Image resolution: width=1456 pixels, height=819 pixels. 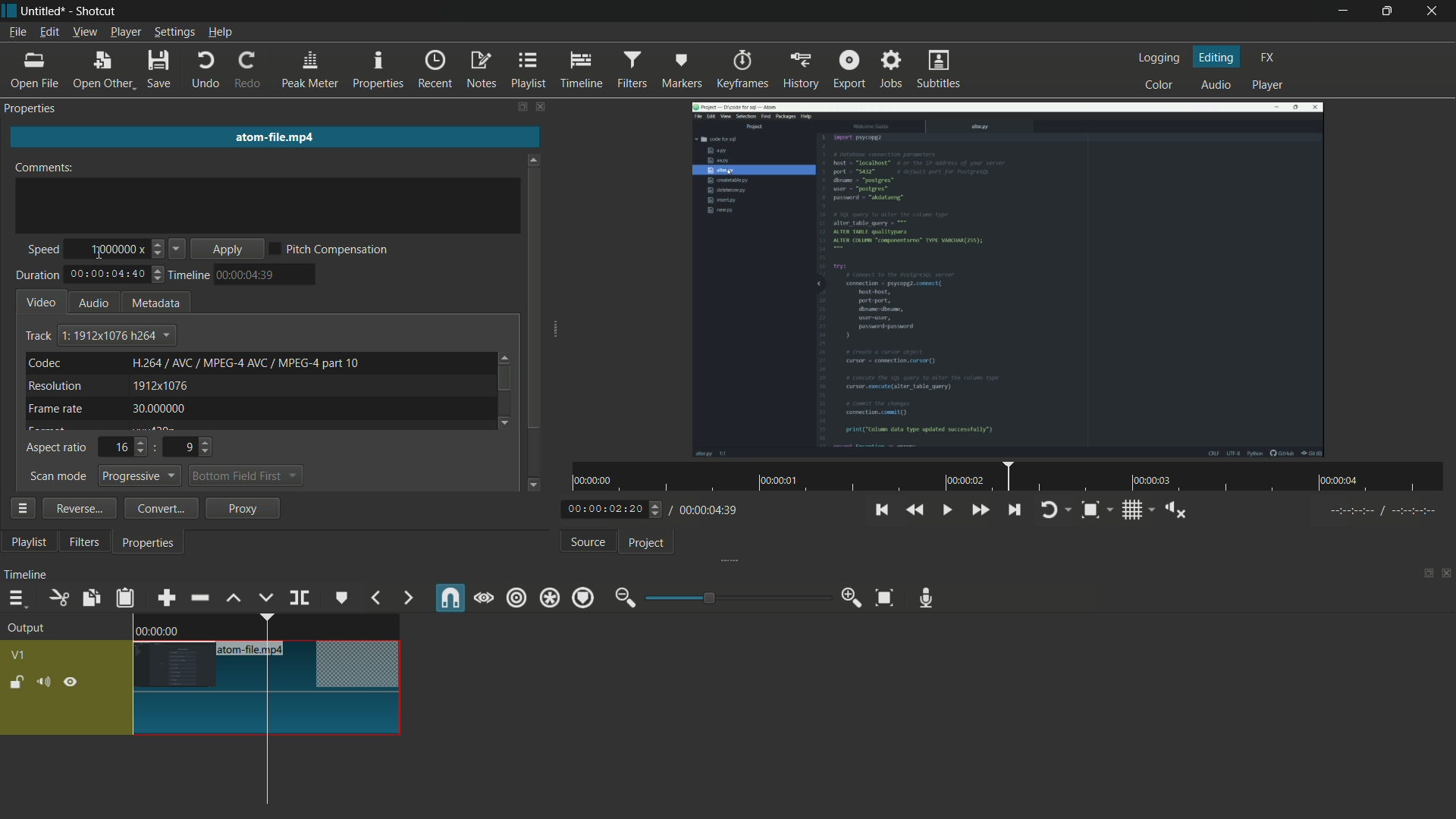 I want to click on keyframes, so click(x=743, y=68).